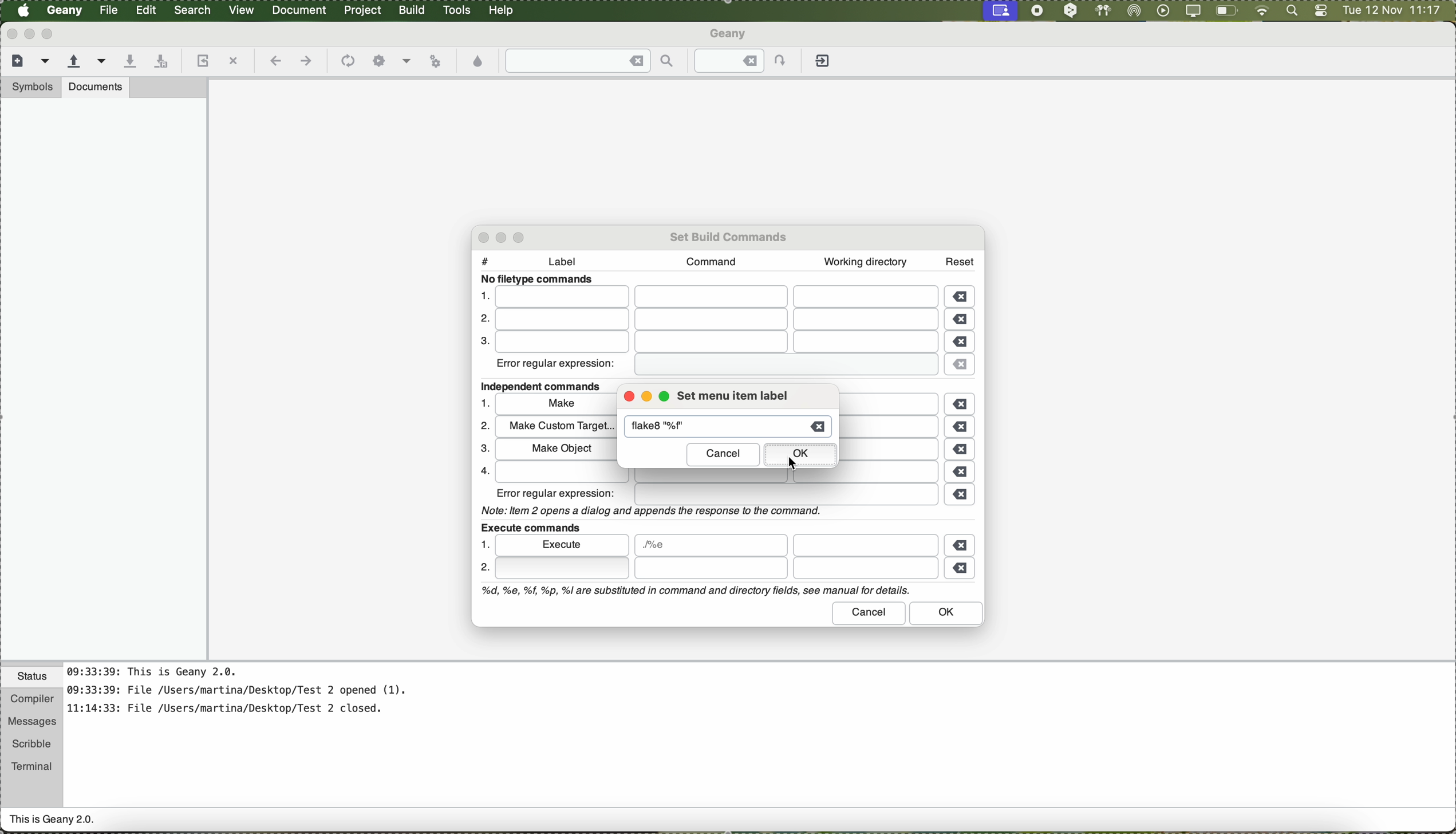 This screenshot has width=1456, height=834. Describe the element at coordinates (482, 449) in the screenshot. I see `3` at that location.